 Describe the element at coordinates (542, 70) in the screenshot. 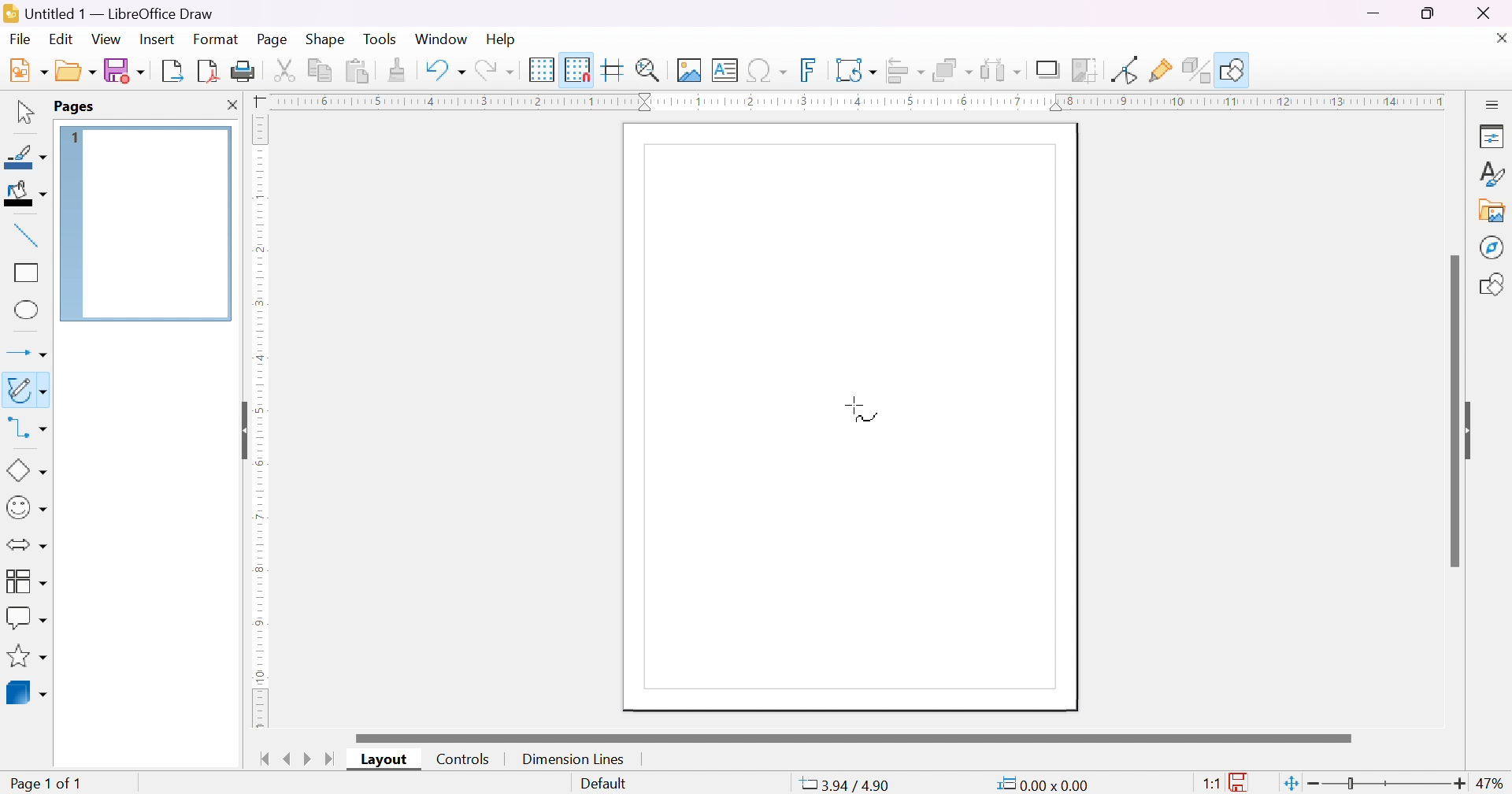

I see `display grid` at that location.